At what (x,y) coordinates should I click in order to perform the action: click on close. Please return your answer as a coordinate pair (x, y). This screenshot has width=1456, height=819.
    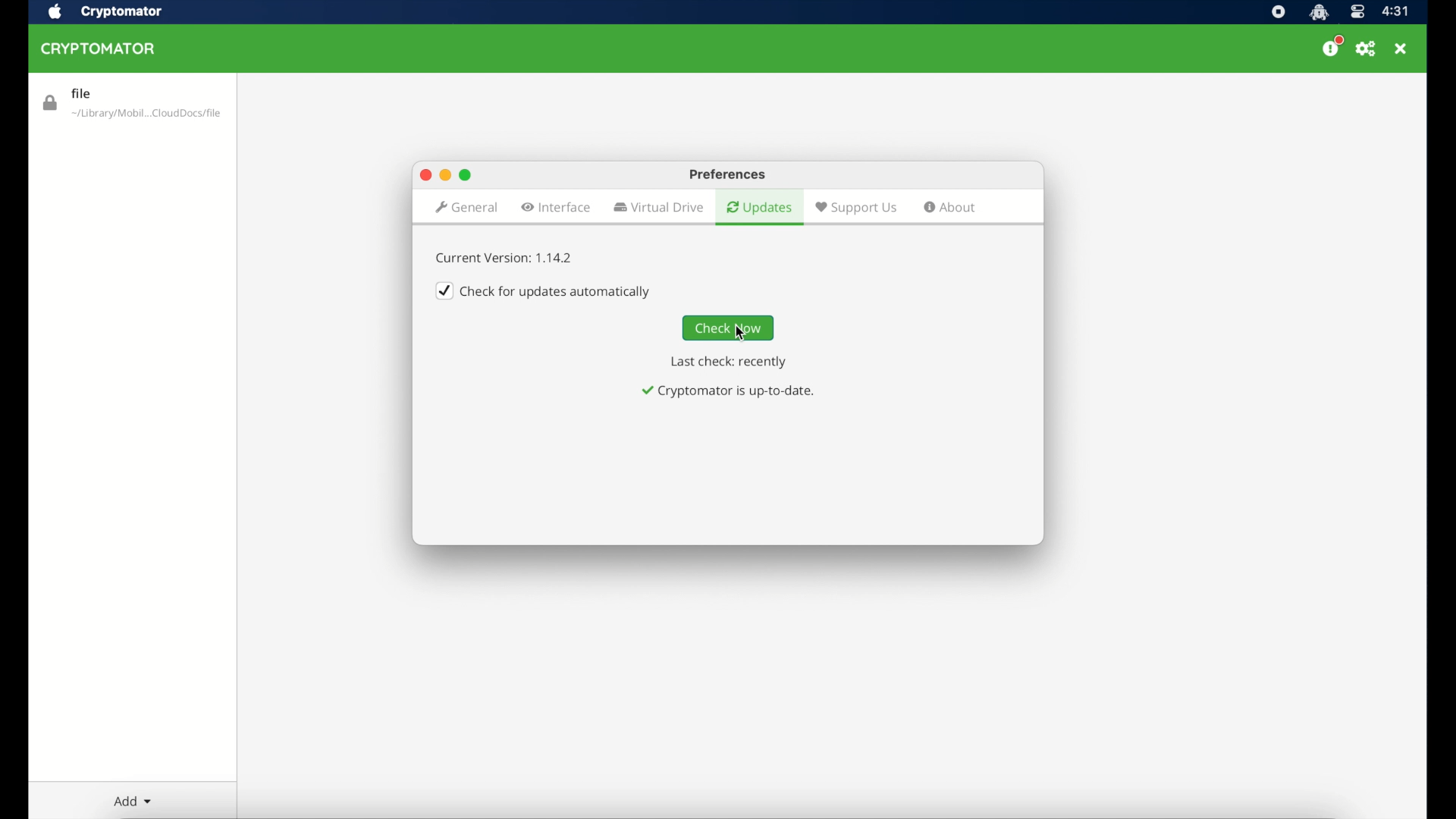
    Looking at the image, I should click on (424, 174).